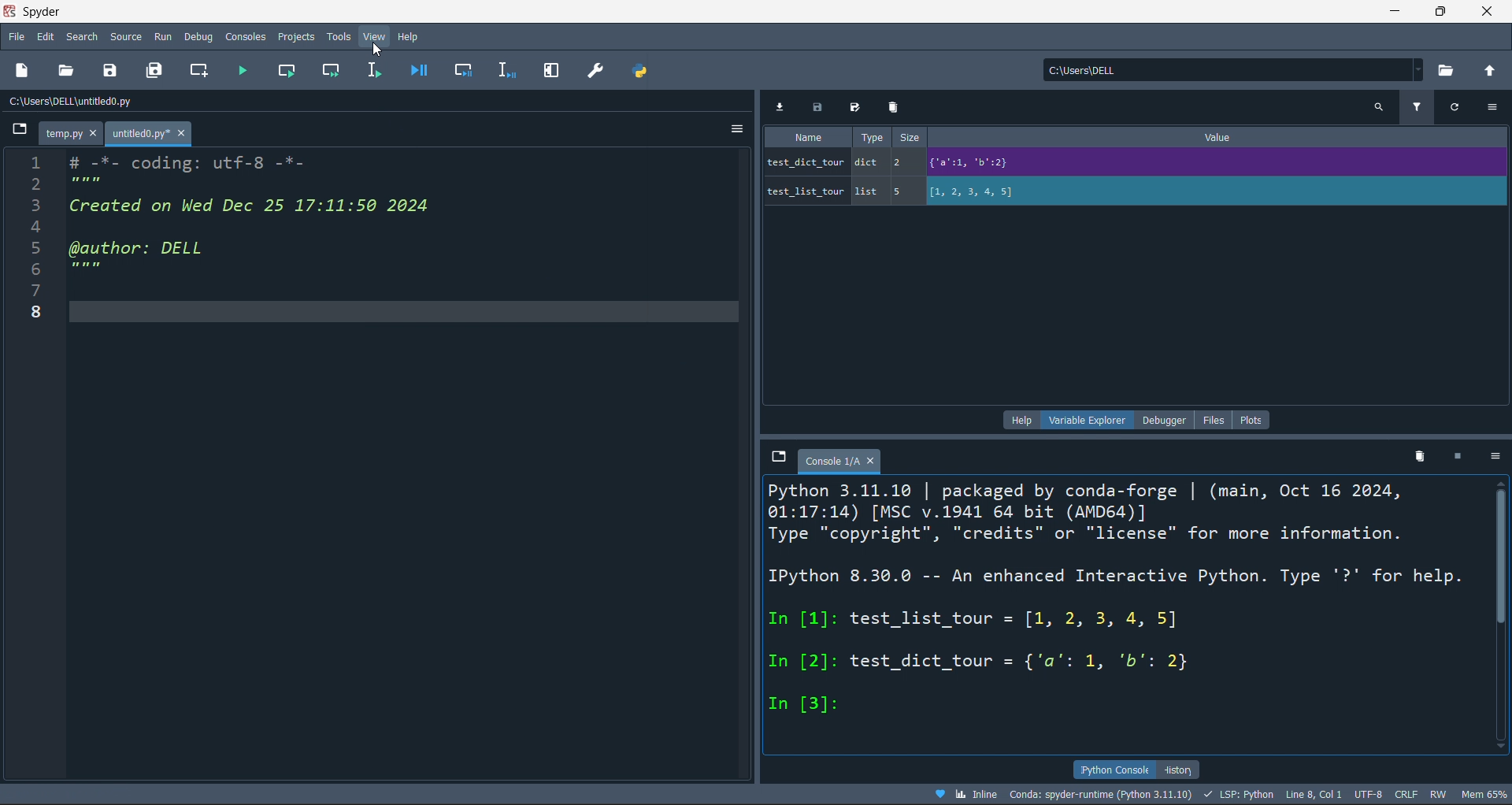 The width and height of the screenshot is (1512, 805). What do you see at coordinates (22, 72) in the screenshot?
I see `new file` at bounding box center [22, 72].